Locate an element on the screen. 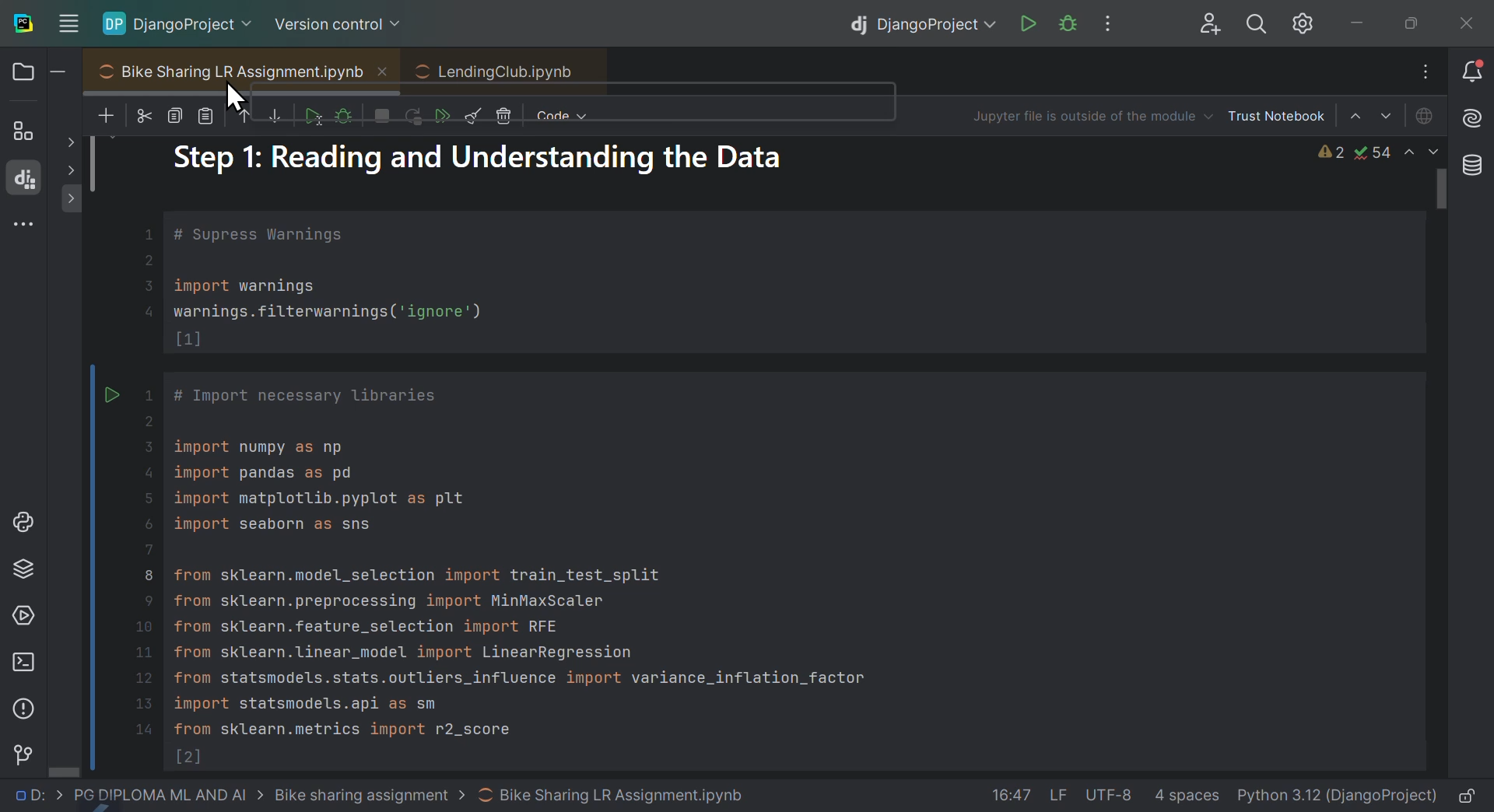 The image size is (1494, 812). Cursor is located at coordinates (237, 97).